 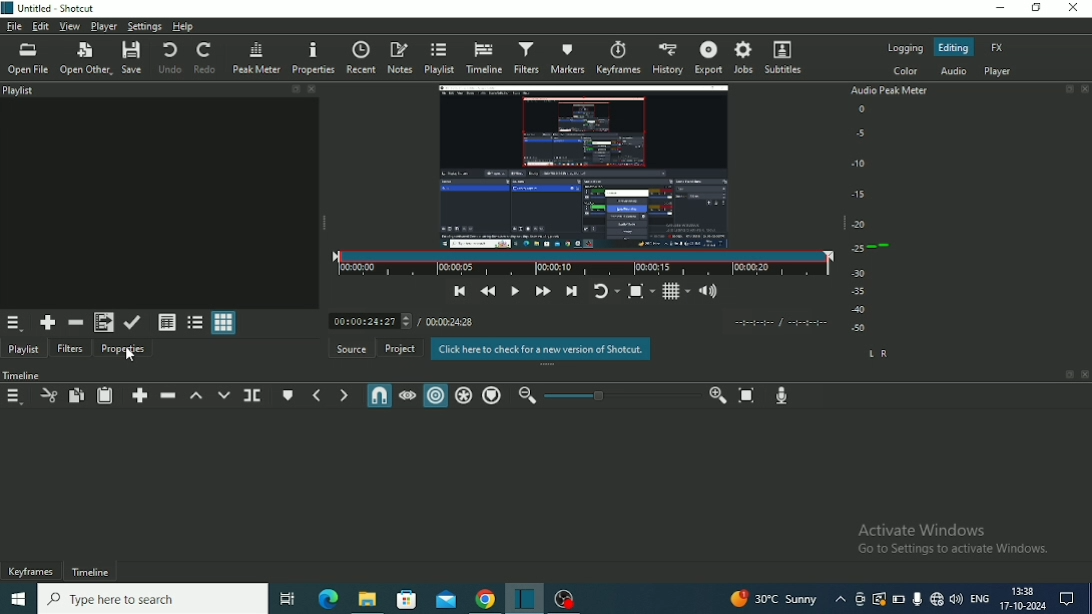 What do you see at coordinates (169, 57) in the screenshot?
I see `Undo` at bounding box center [169, 57].